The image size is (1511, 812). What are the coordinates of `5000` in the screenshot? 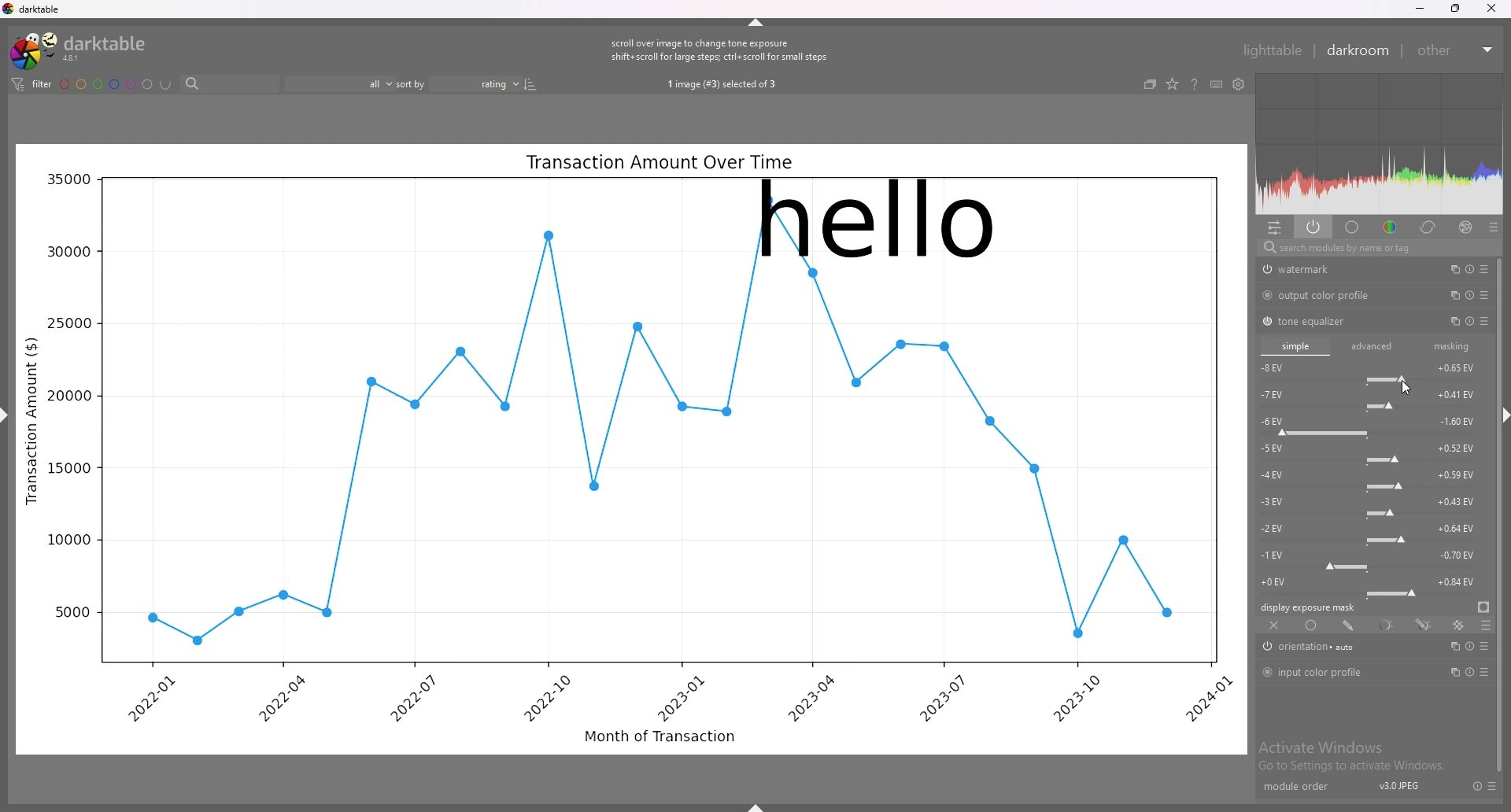 It's located at (71, 611).